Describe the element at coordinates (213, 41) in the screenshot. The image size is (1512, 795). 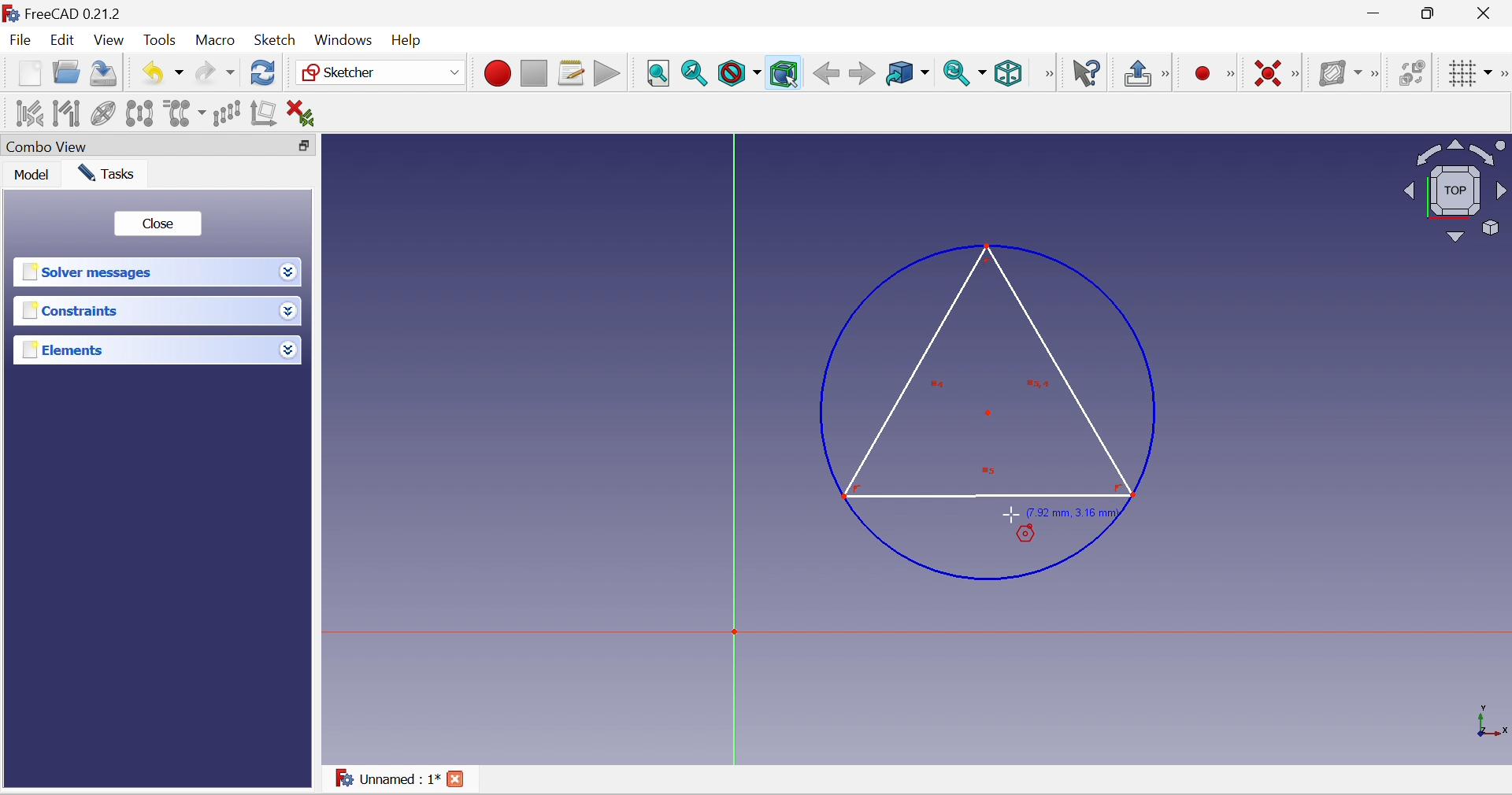
I see `Macro` at that location.